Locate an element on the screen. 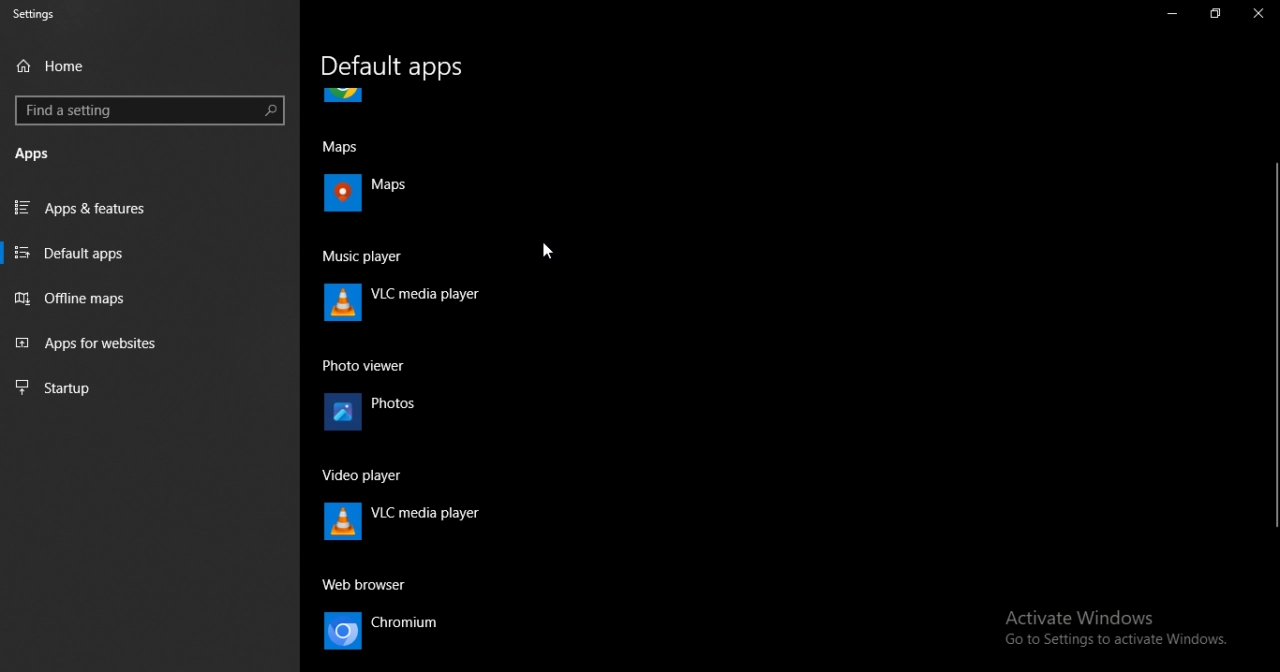 This screenshot has width=1280, height=672. icon is located at coordinates (344, 99).